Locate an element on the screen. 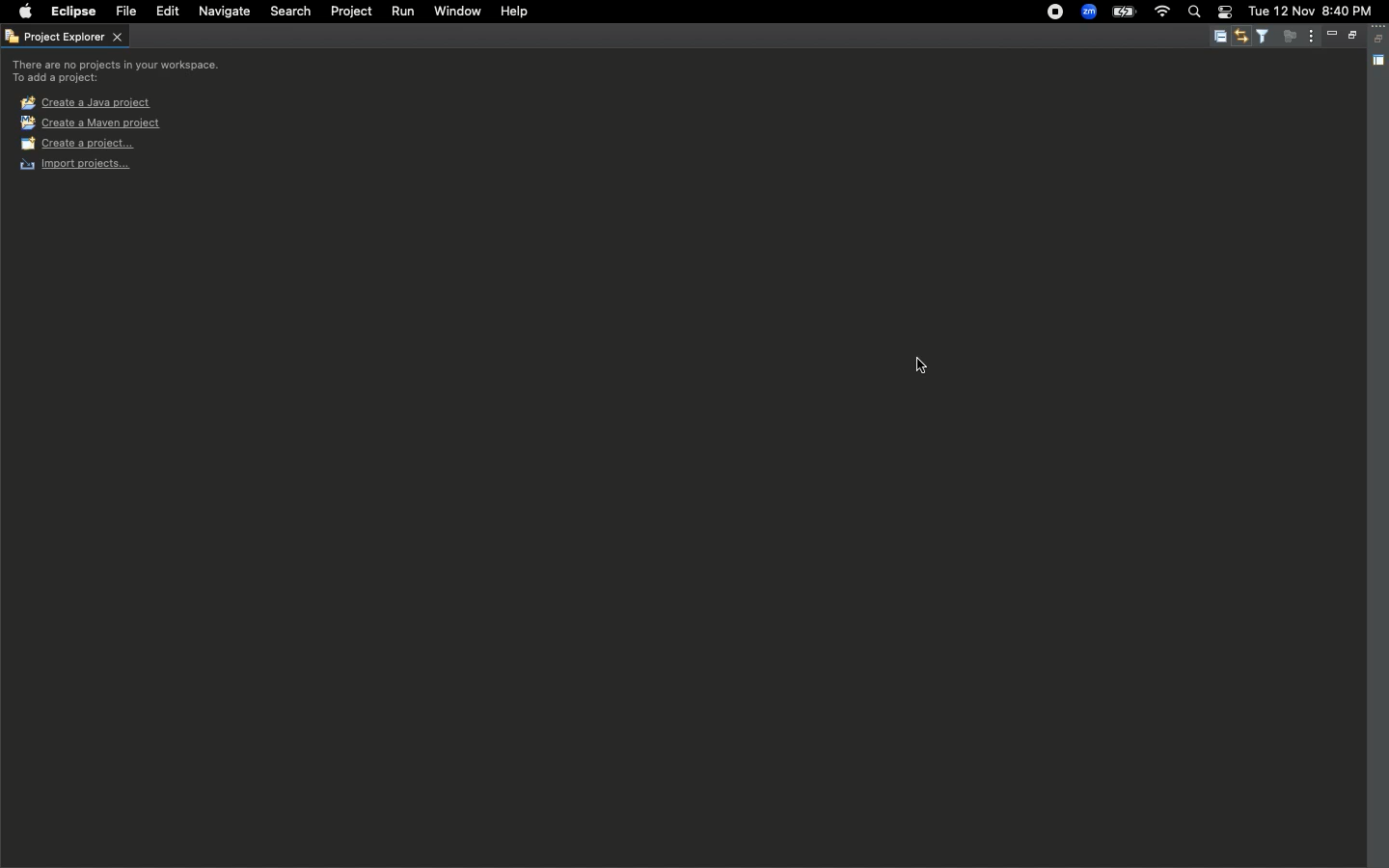  Project explorer is located at coordinates (64, 38).